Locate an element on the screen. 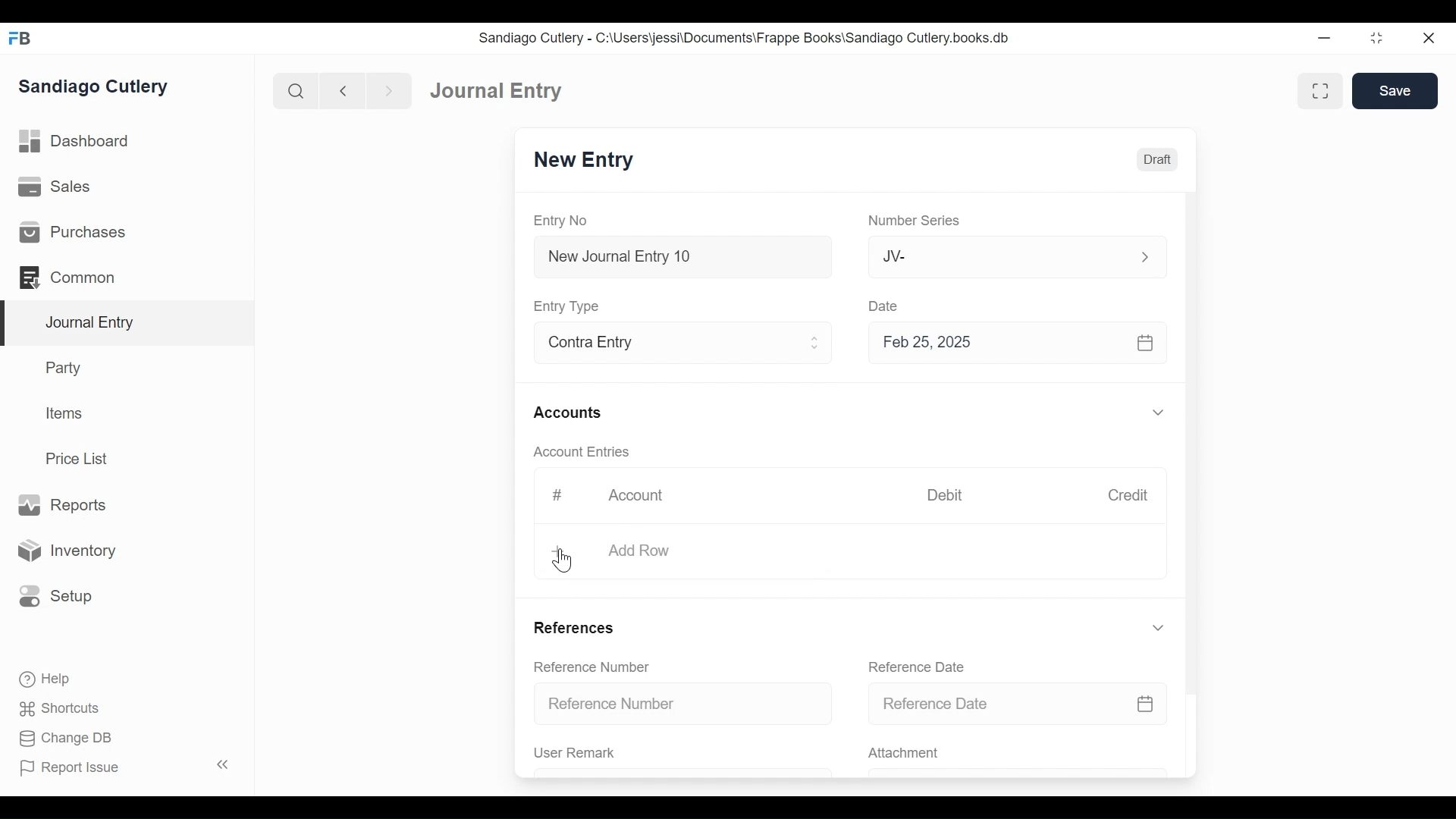 Image resolution: width=1456 pixels, height=819 pixels. Add Row is located at coordinates (638, 549).